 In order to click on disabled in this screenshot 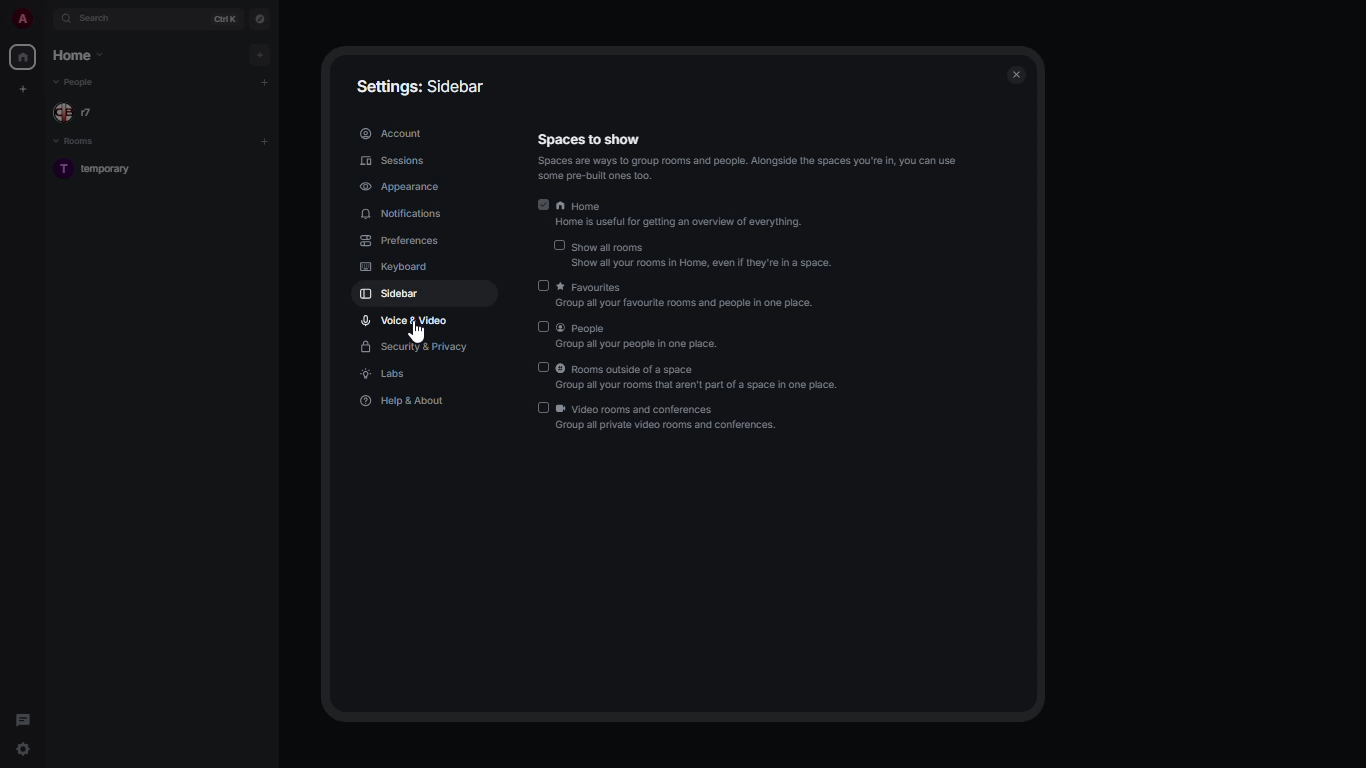, I will do `click(544, 328)`.